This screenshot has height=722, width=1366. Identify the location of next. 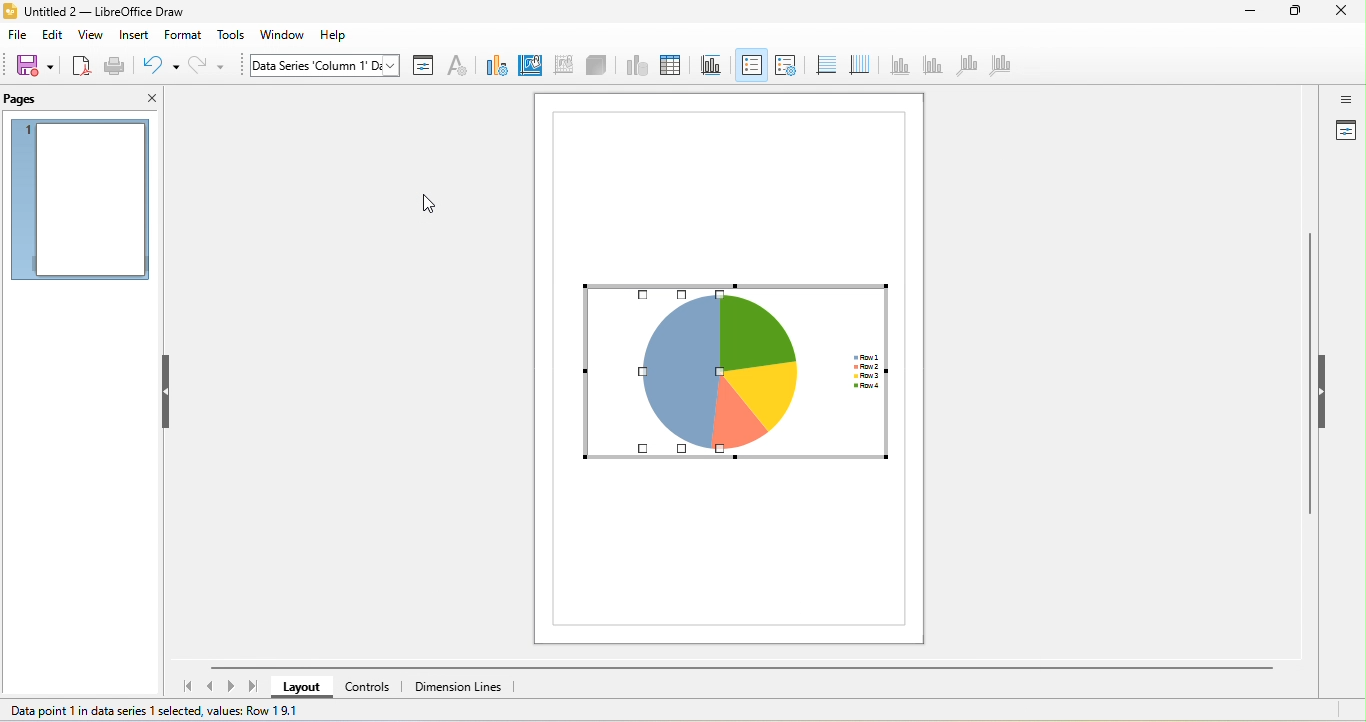
(232, 687).